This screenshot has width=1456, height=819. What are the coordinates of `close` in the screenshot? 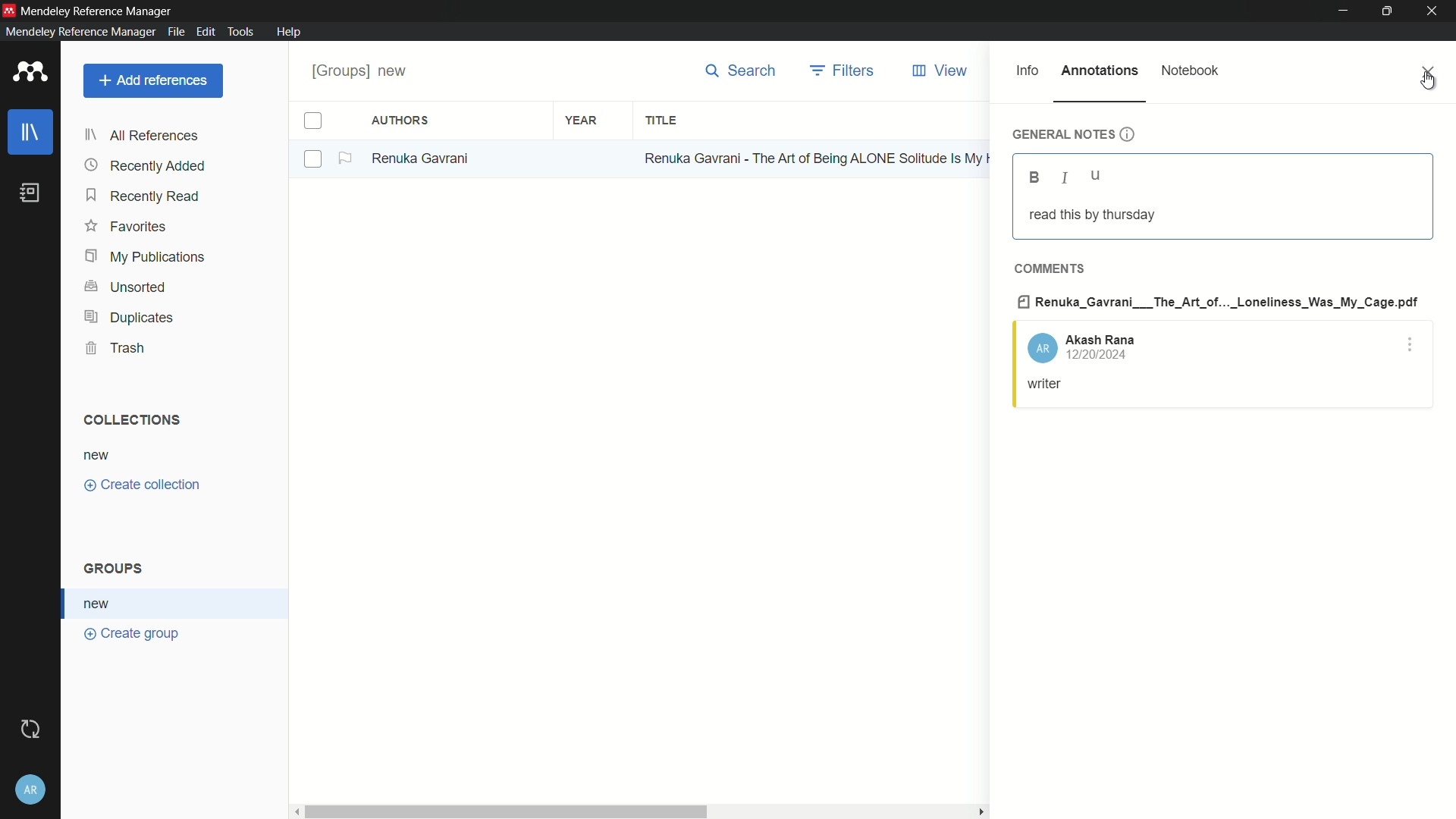 It's located at (1430, 72).